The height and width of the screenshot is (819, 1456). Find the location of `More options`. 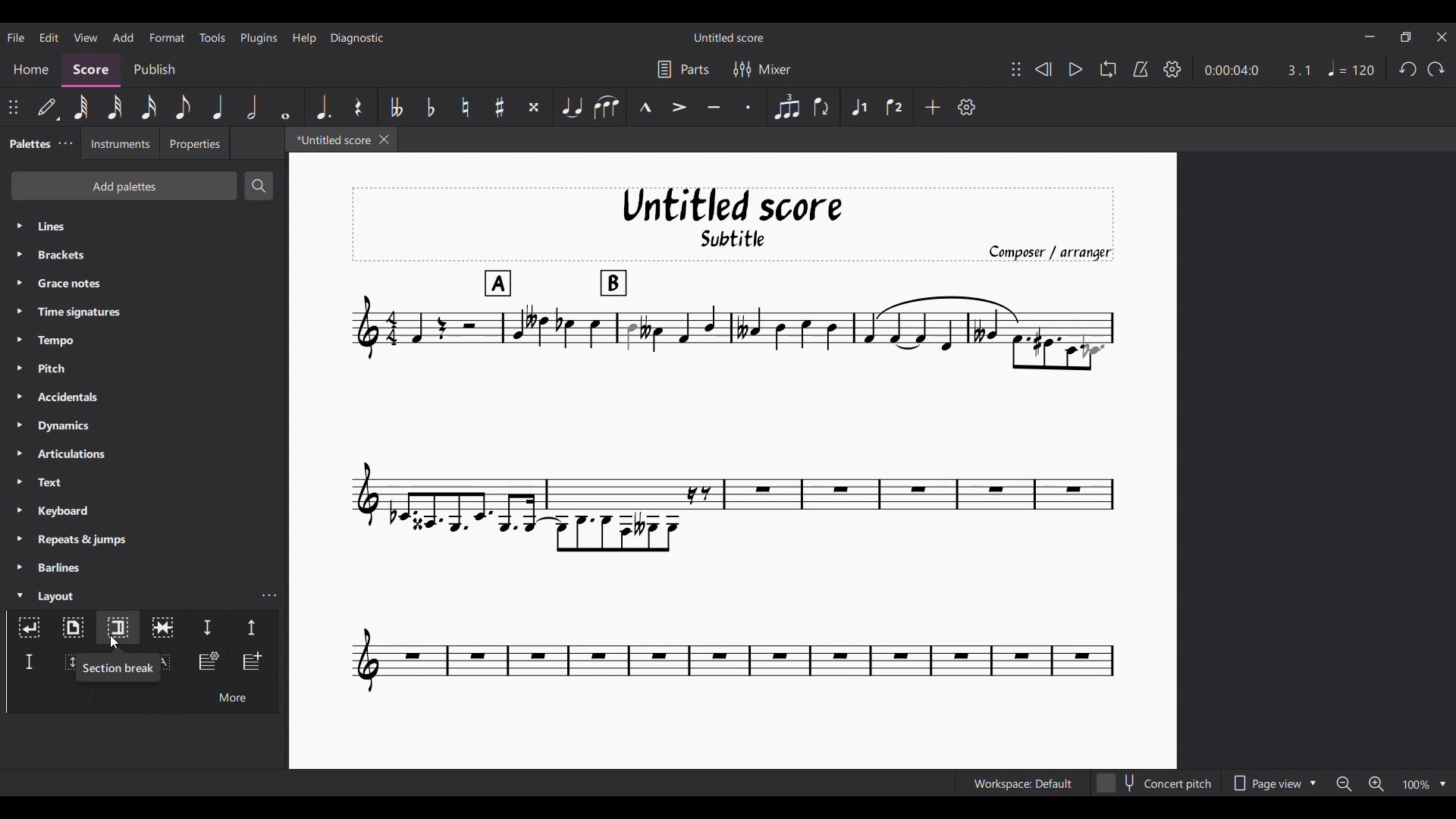

More options is located at coordinates (231, 695).